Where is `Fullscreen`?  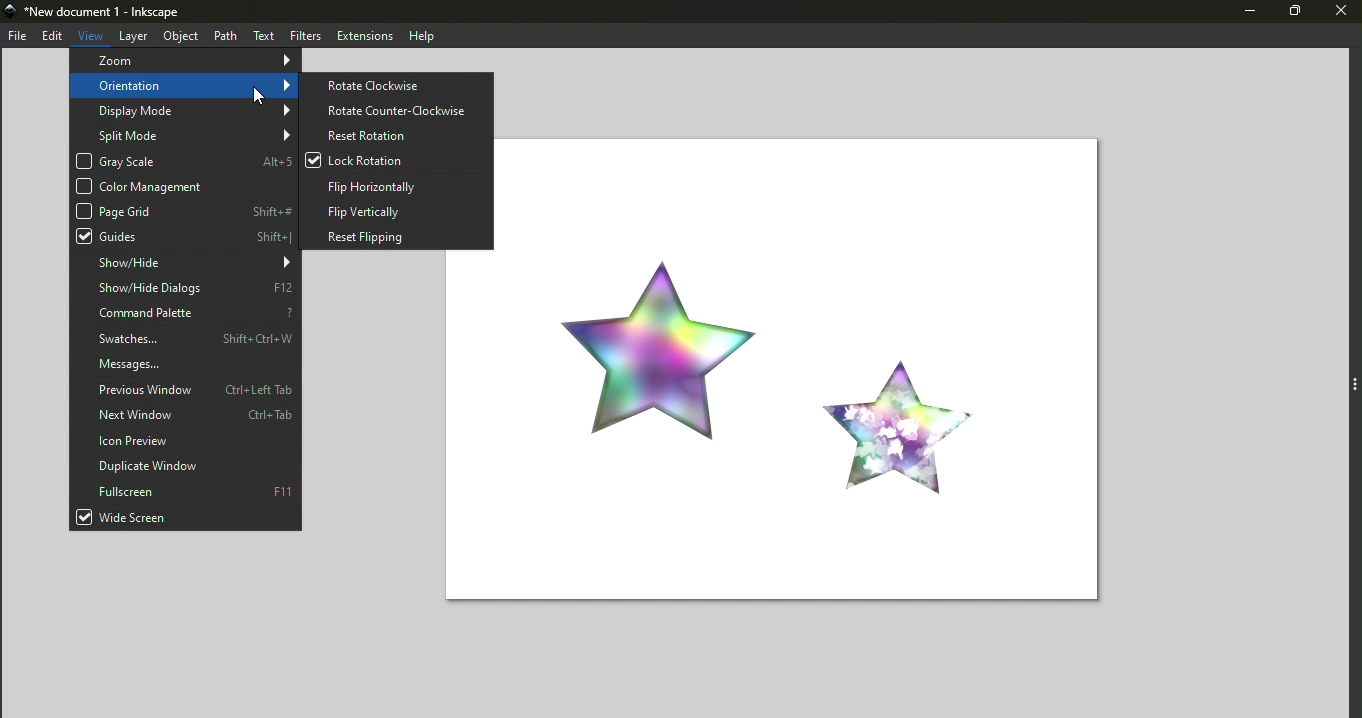
Fullscreen is located at coordinates (185, 490).